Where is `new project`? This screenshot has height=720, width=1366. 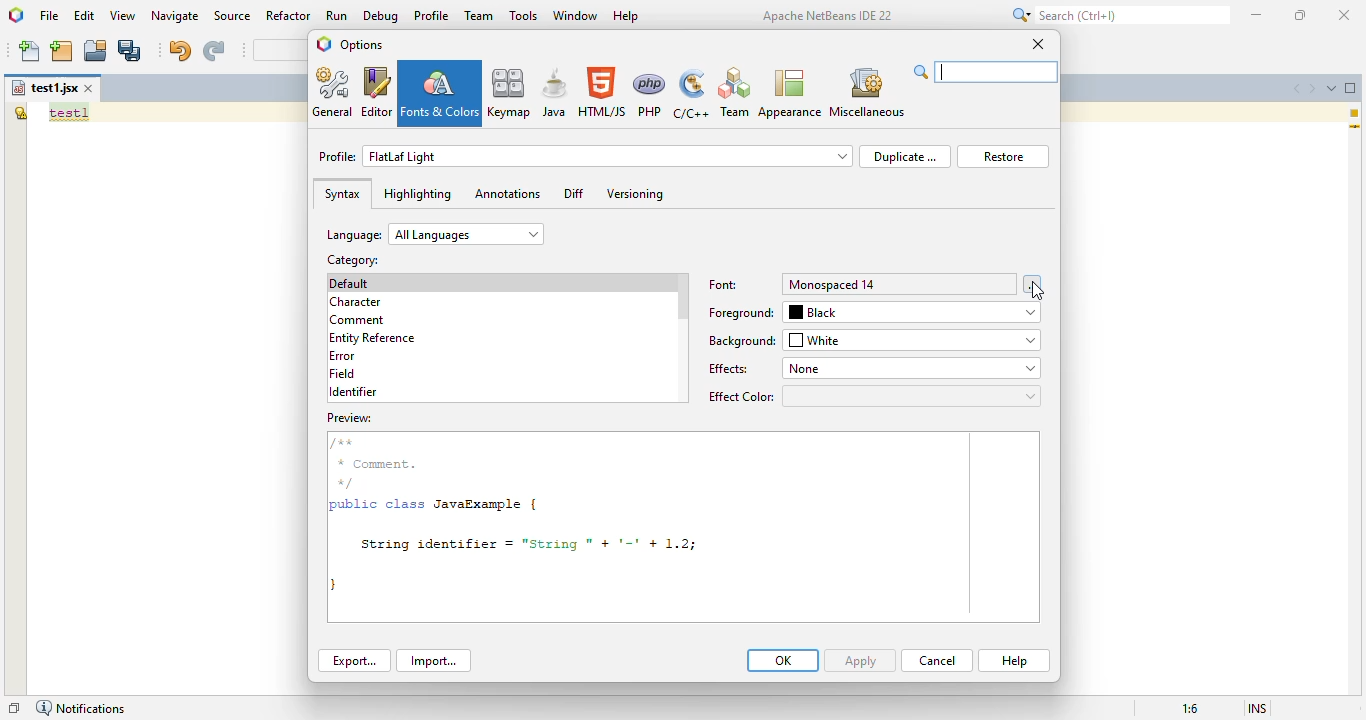 new project is located at coordinates (62, 51).